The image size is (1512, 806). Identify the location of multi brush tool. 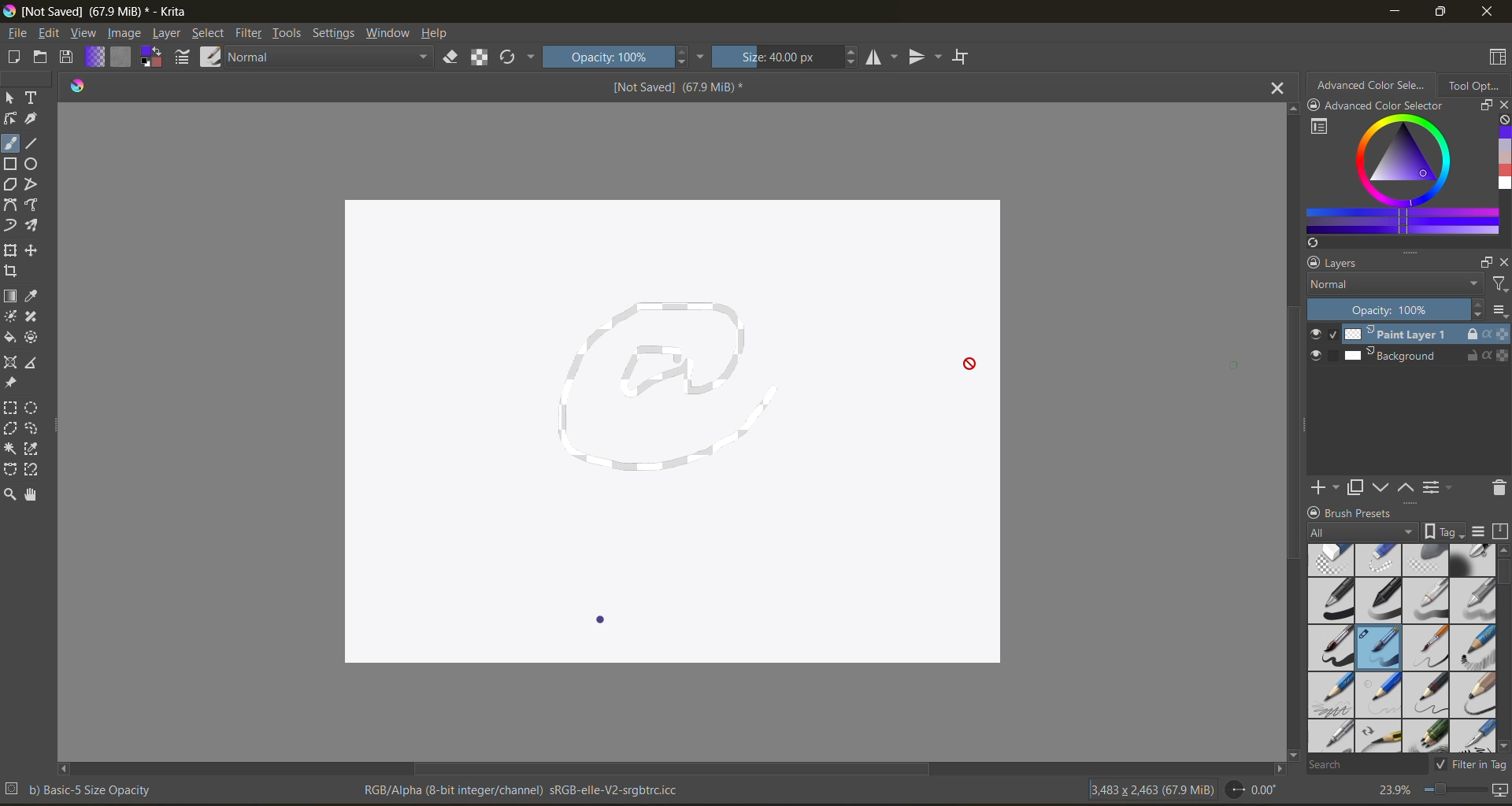
(34, 225).